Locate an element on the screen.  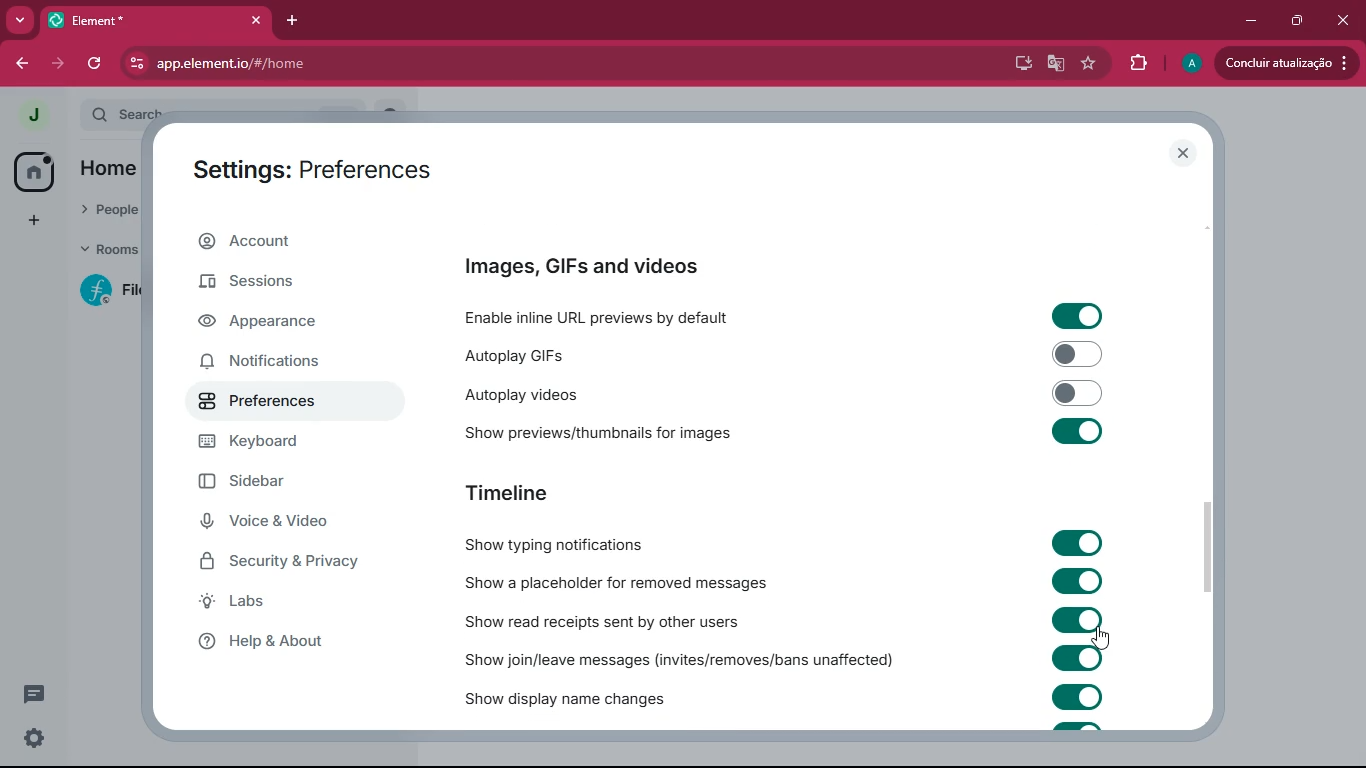
home is located at coordinates (32, 172).